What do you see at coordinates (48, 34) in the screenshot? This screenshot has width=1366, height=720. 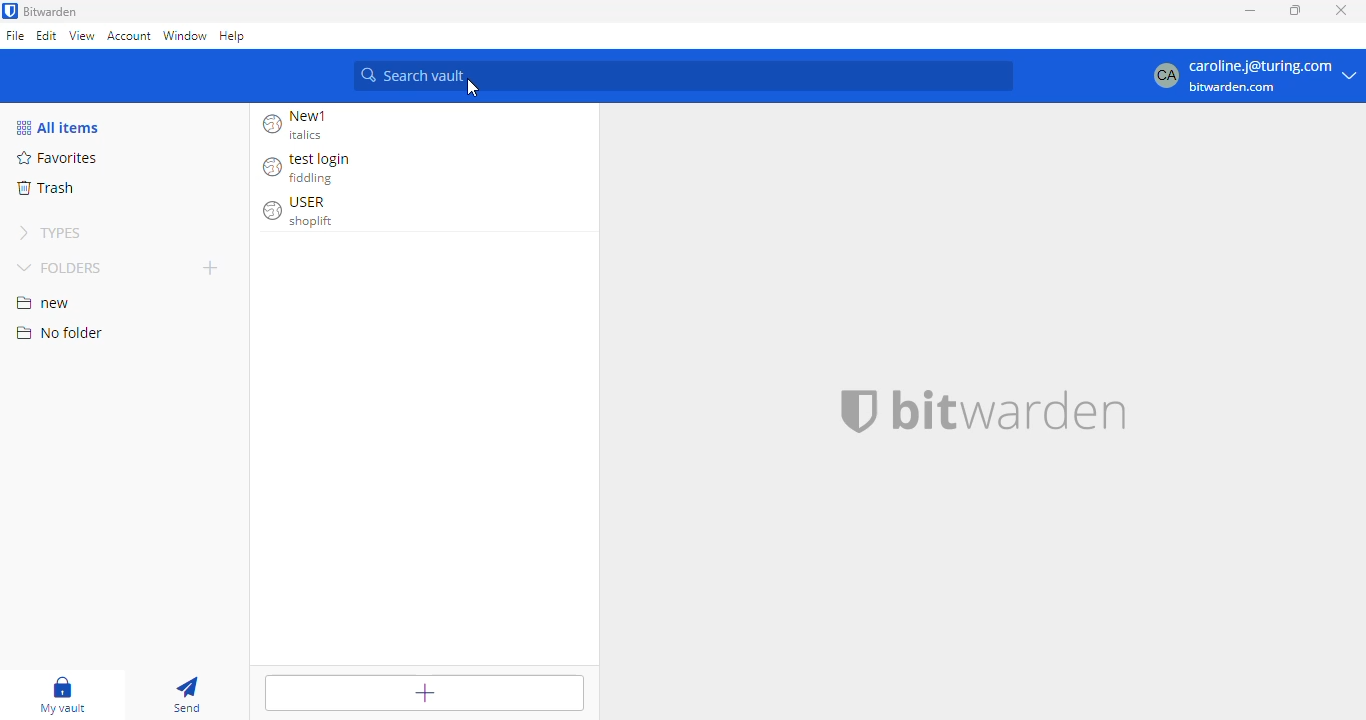 I see `edit` at bounding box center [48, 34].